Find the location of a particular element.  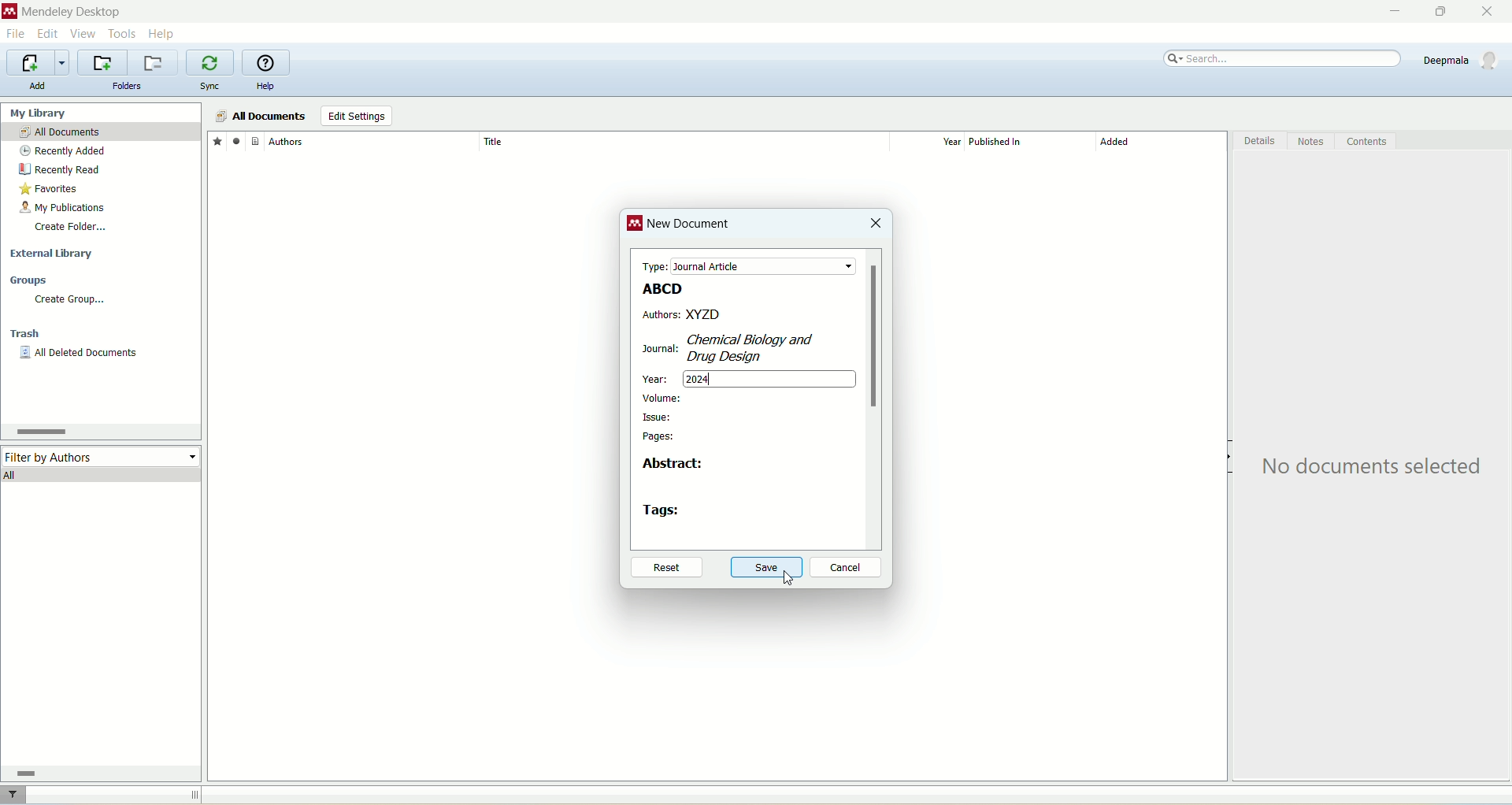

import is located at coordinates (35, 63).